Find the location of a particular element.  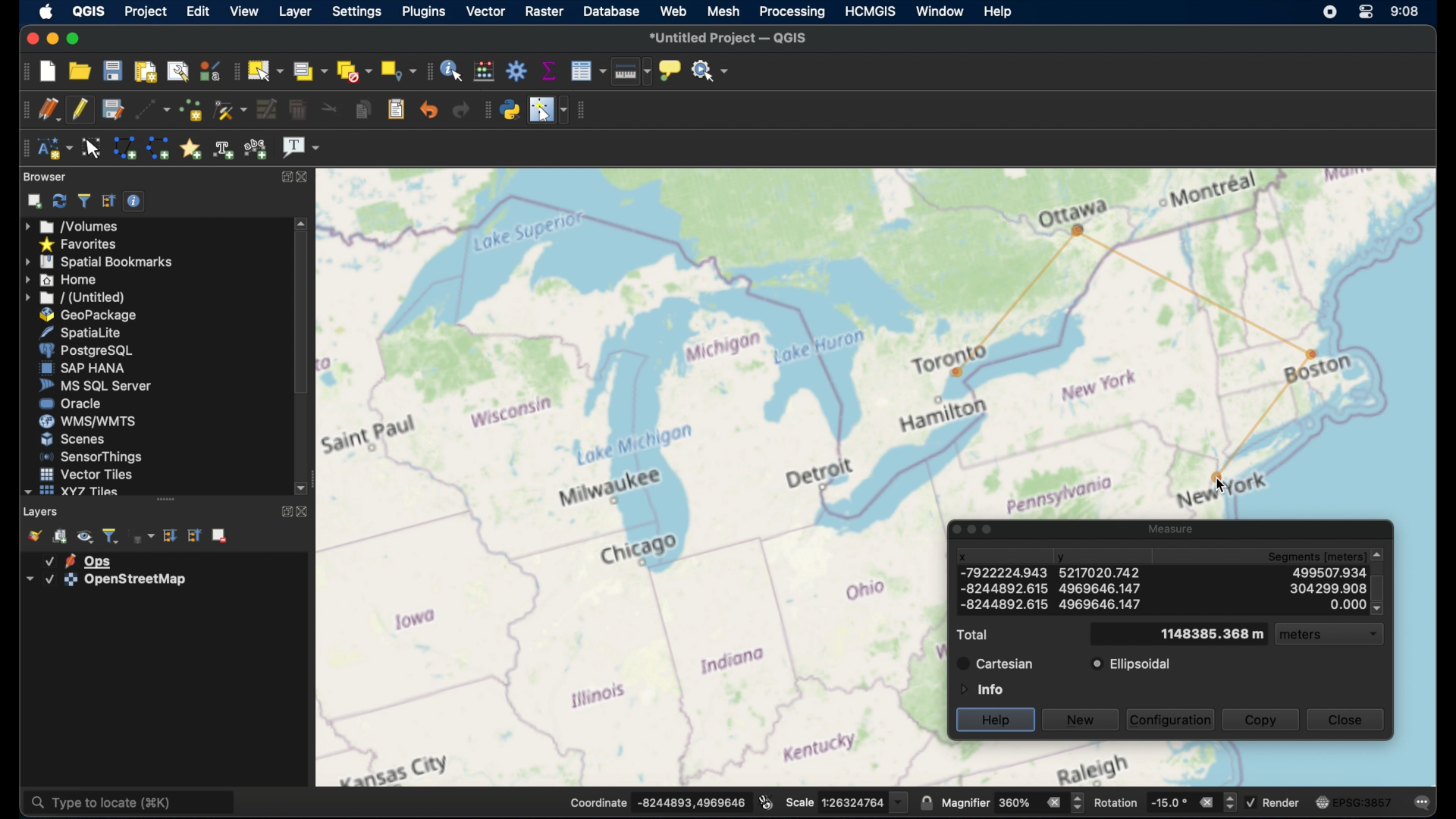

y is located at coordinates (1098, 604).